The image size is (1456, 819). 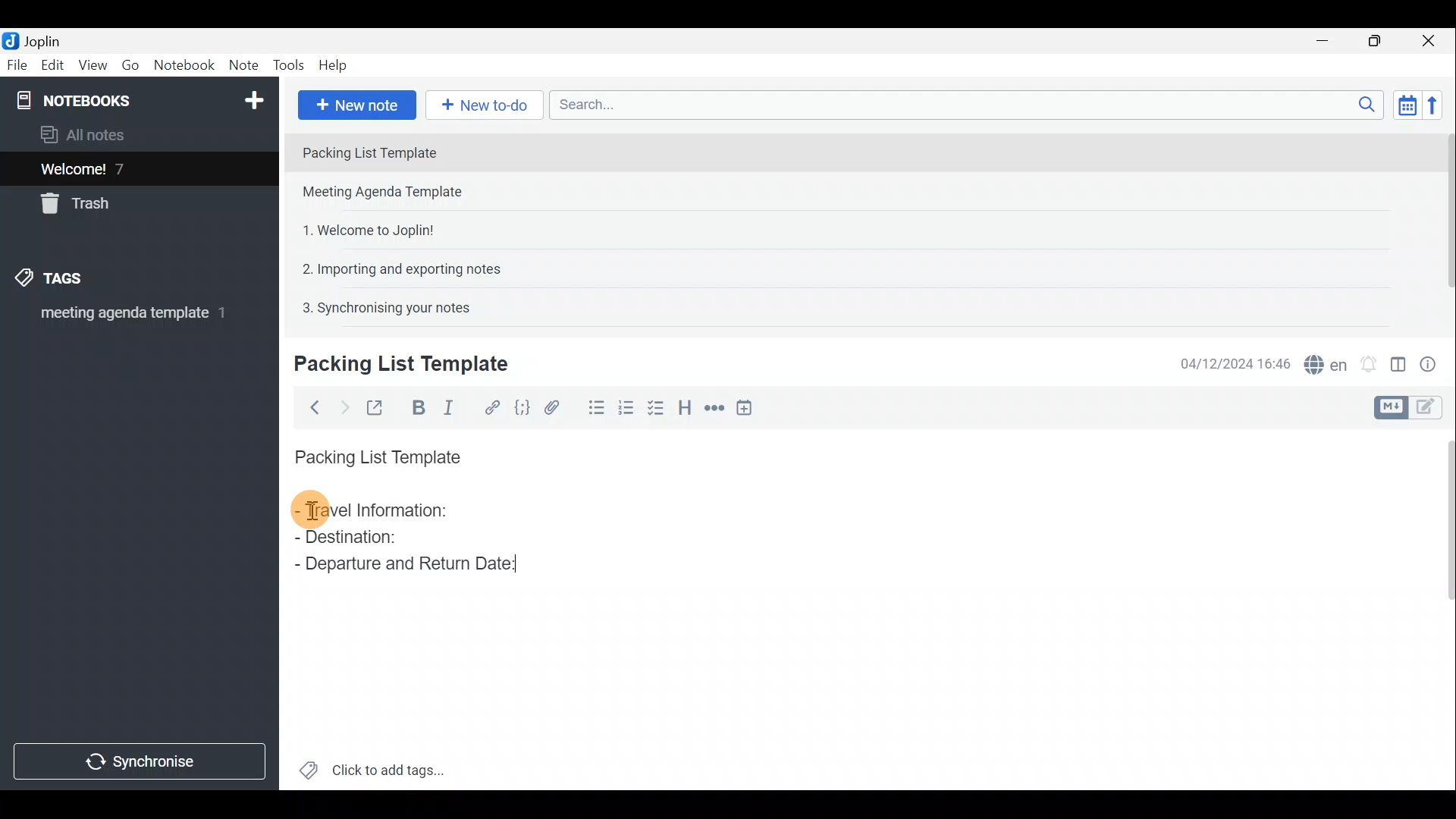 What do you see at coordinates (712, 408) in the screenshot?
I see `Horizontal rule` at bounding box center [712, 408].